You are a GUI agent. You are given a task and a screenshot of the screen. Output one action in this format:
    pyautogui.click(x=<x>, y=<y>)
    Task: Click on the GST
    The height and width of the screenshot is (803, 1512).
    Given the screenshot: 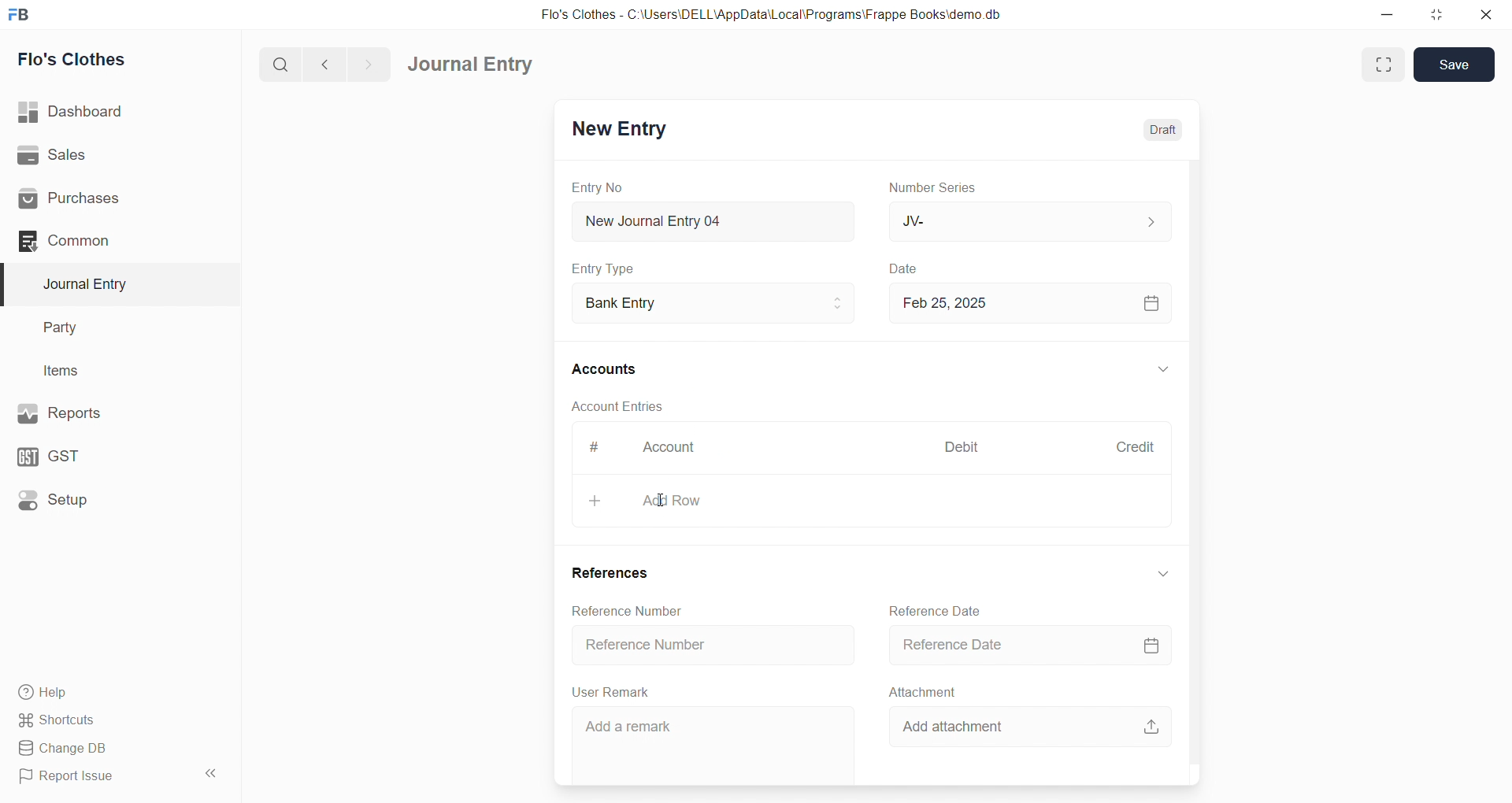 What is the action you would take?
    pyautogui.click(x=109, y=453)
    